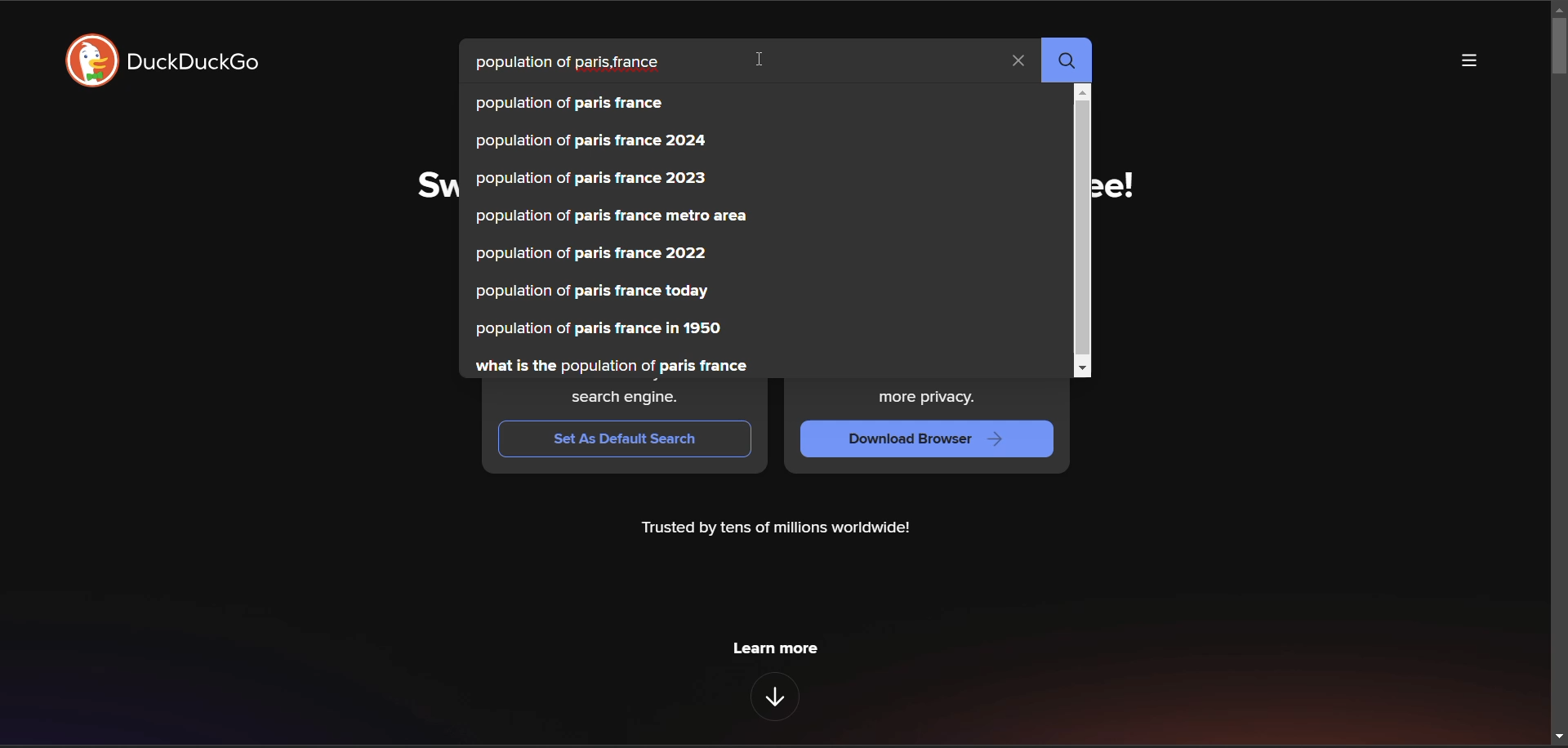  Describe the element at coordinates (1067, 62) in the screenshot. I see `search button` at that location.